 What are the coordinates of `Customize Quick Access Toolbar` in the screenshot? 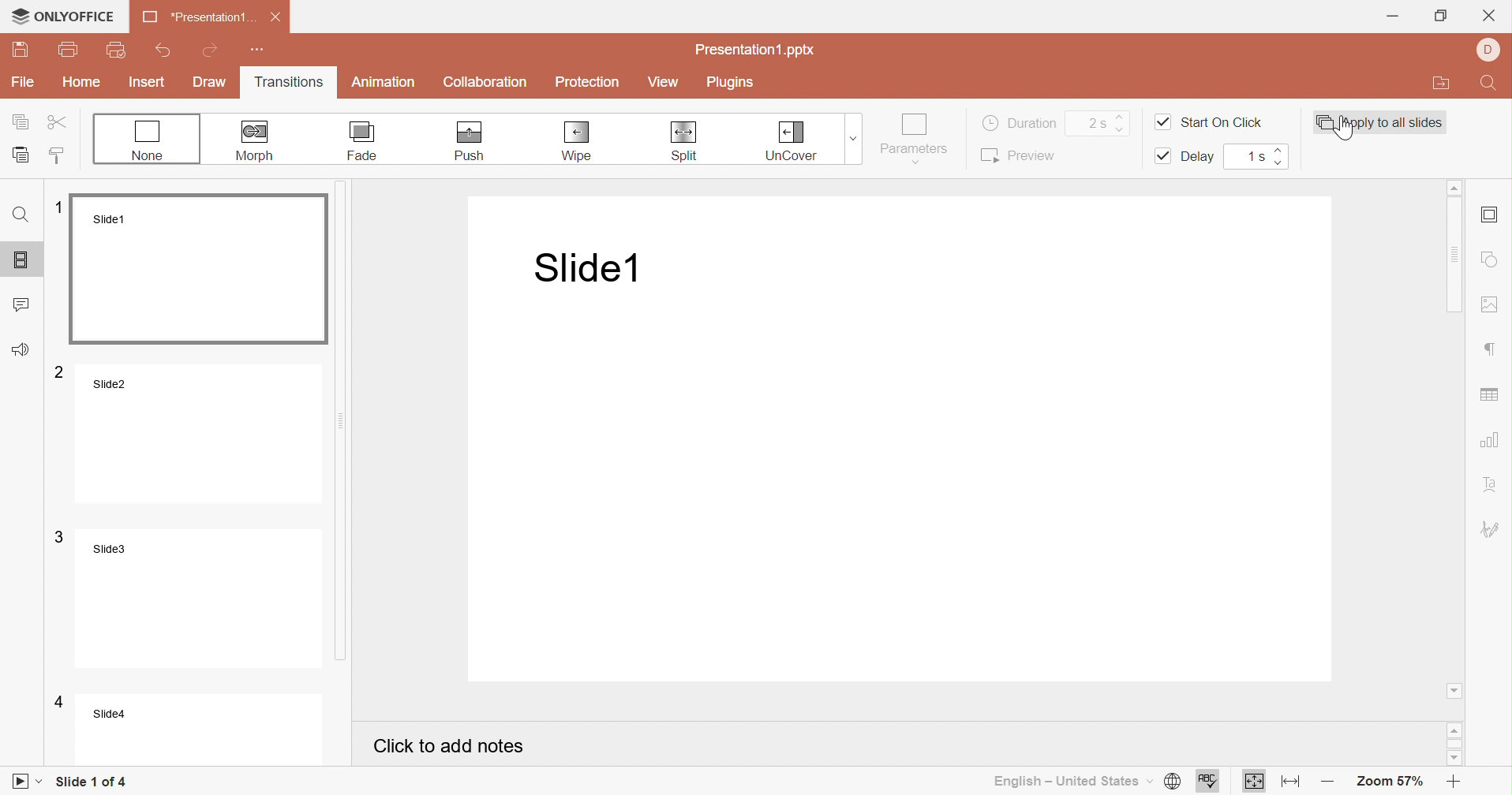 It's located at (259, 50).